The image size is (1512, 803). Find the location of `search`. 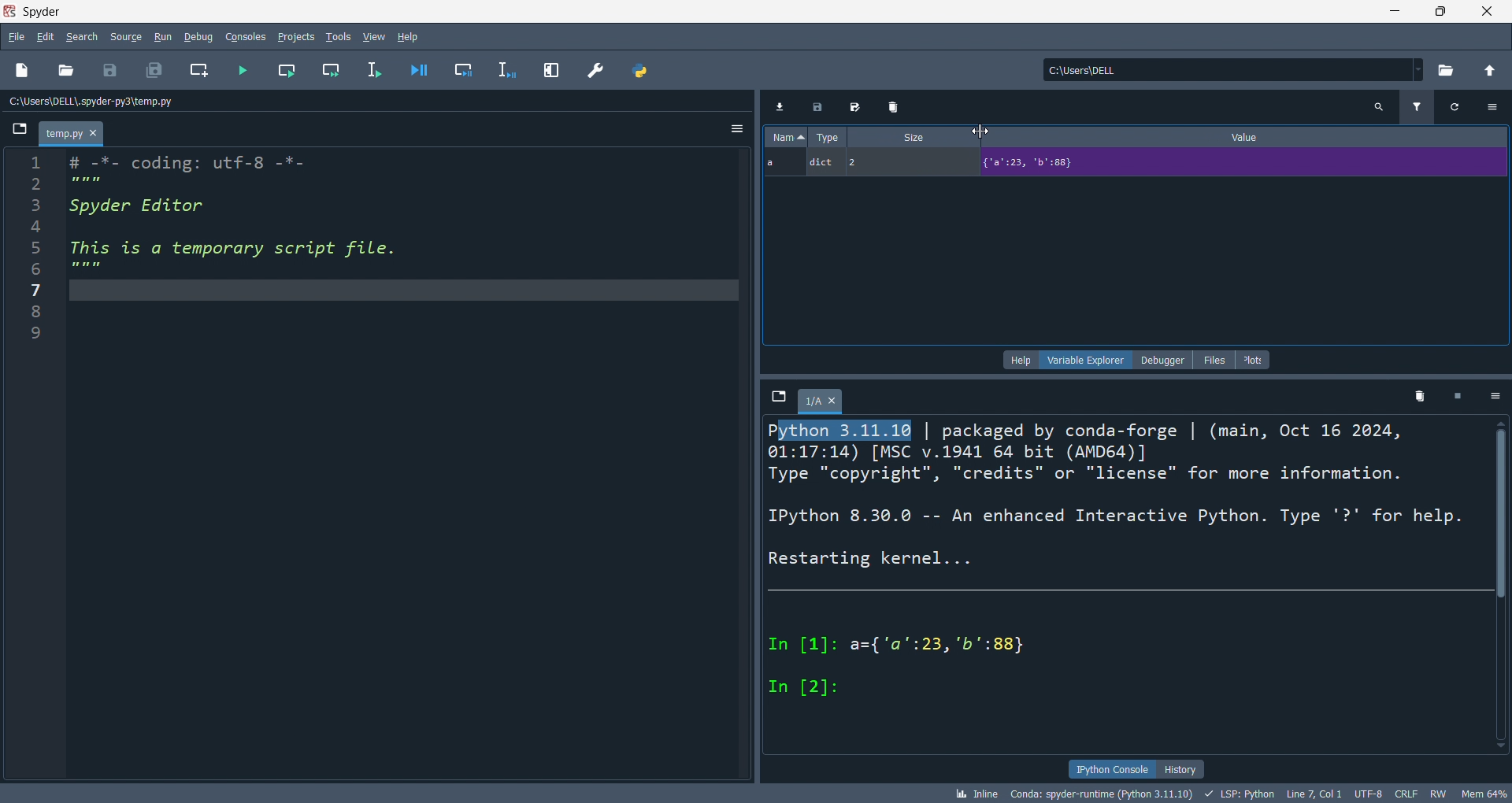

search is located at coordinates (83, 35).